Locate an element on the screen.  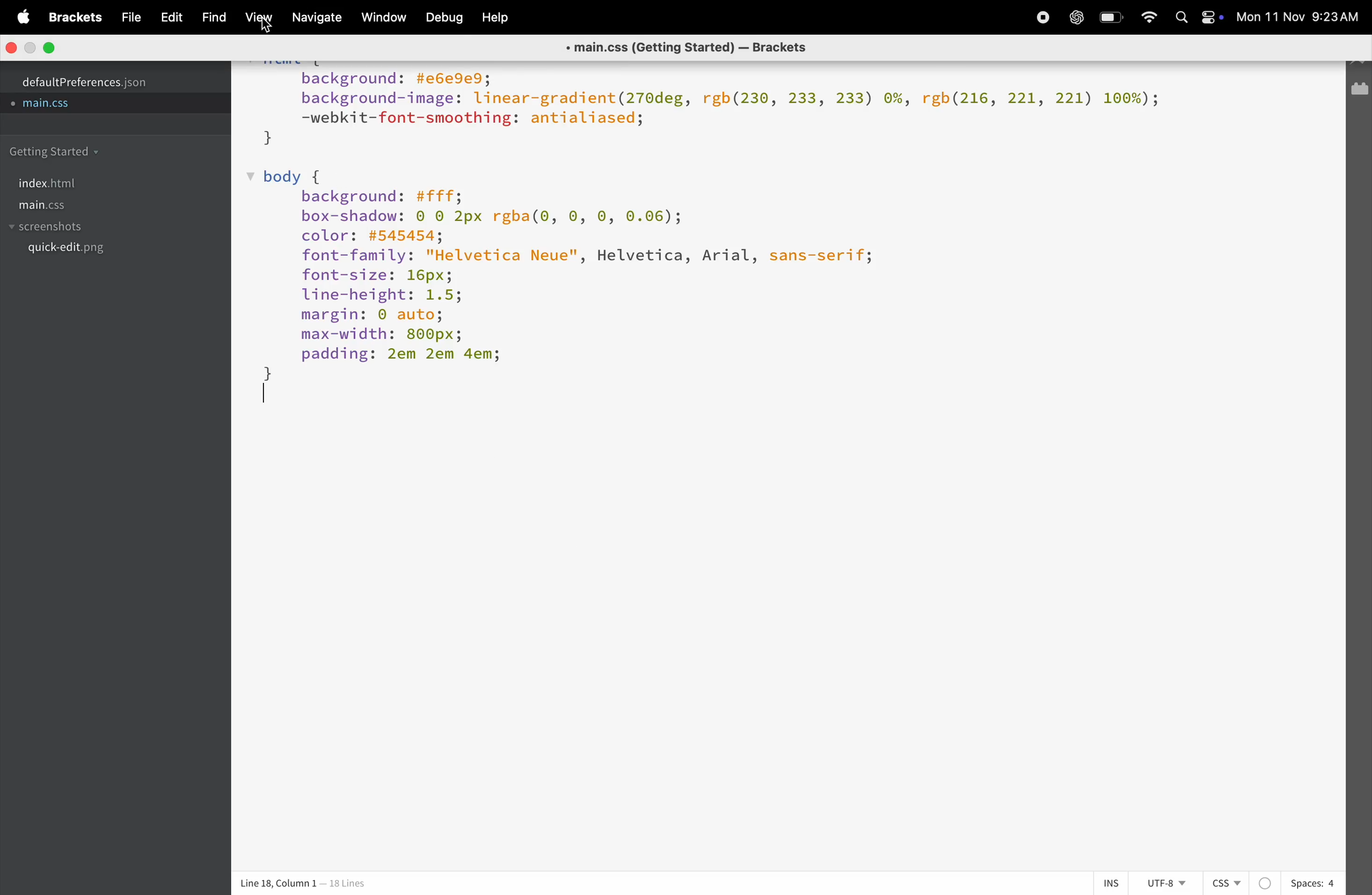
view is located at coordinates (255, 20).